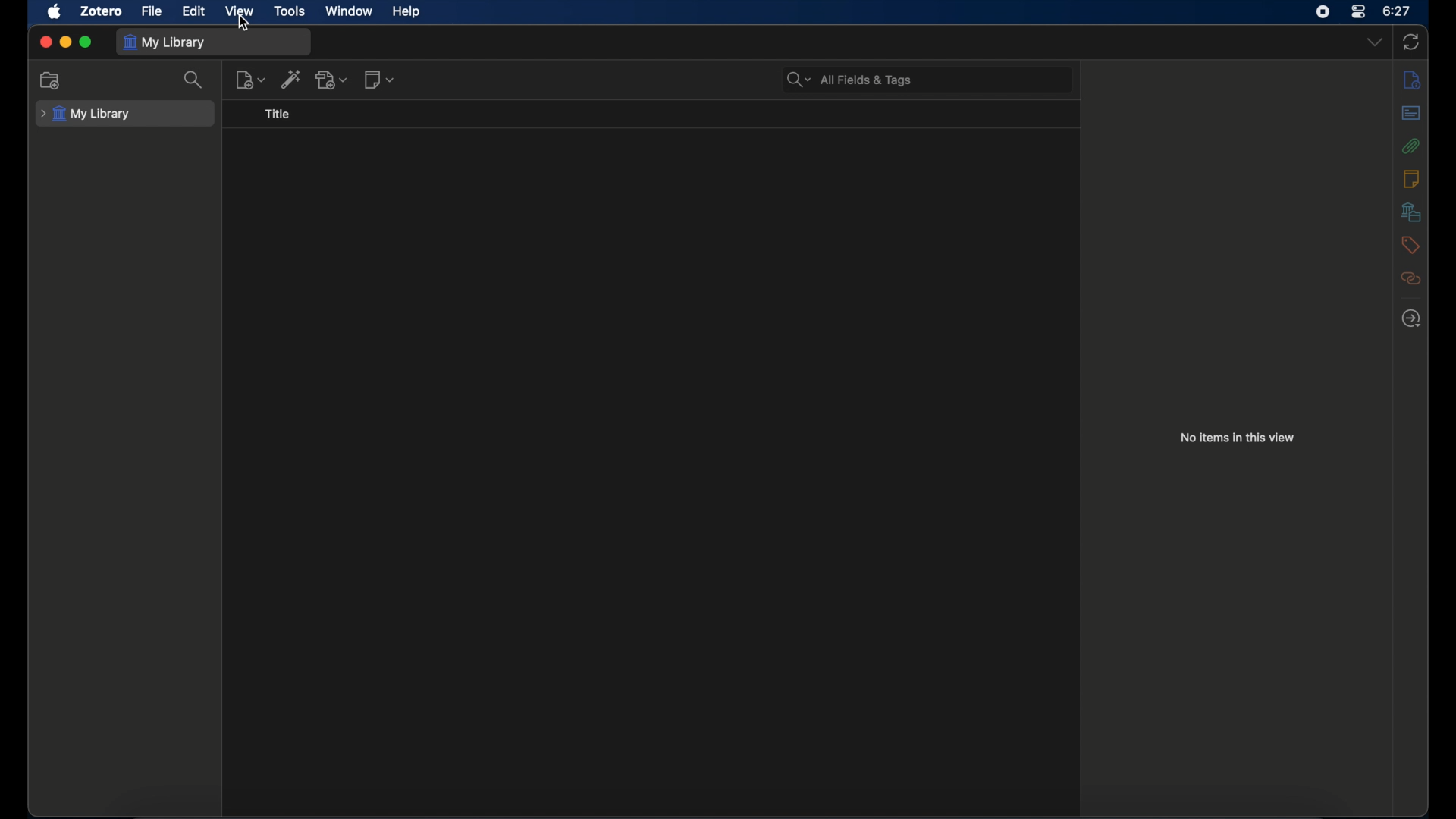  I want to click on control center, so click(1359, 12).